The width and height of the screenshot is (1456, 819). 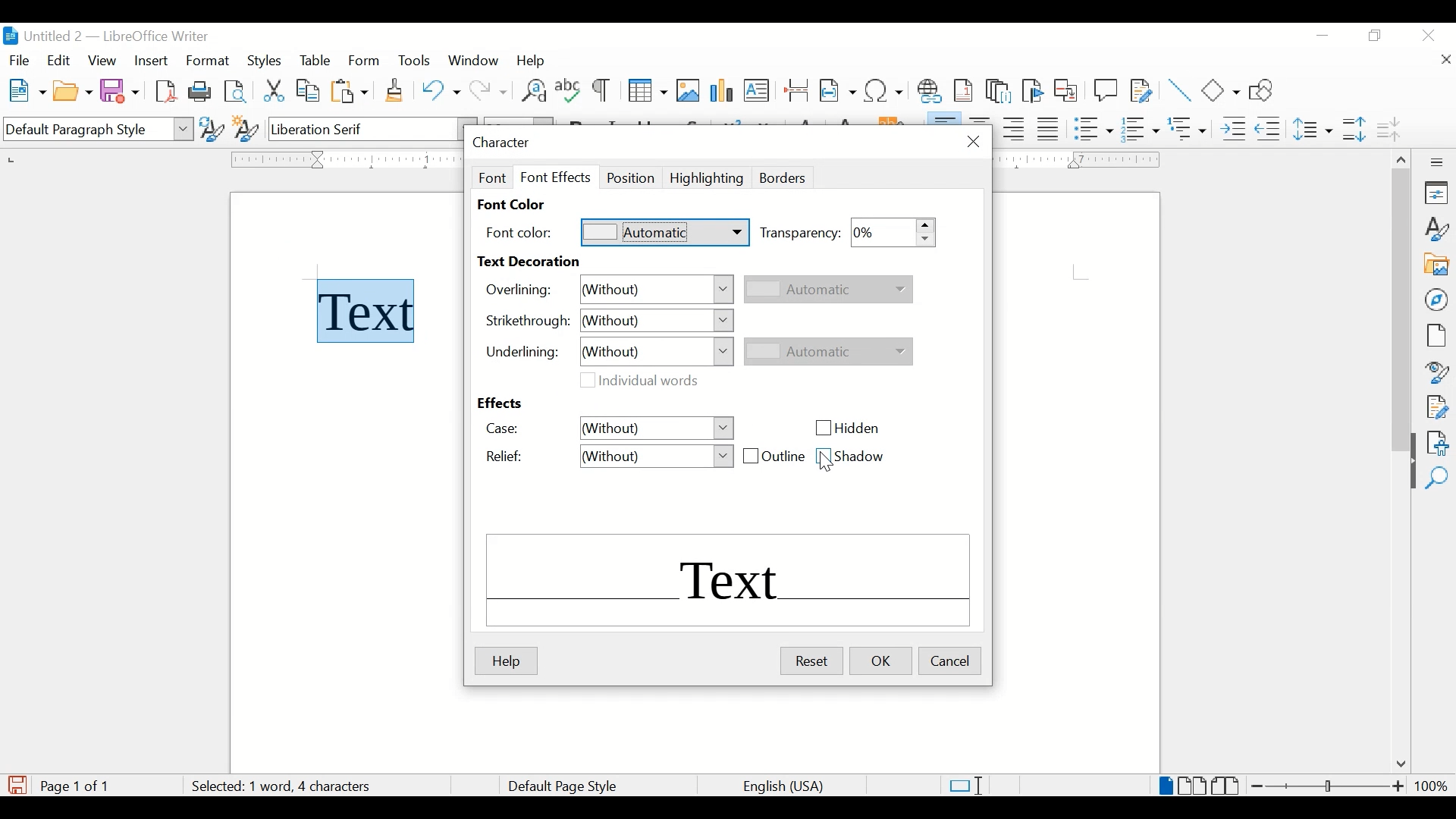 What do you see at coordinates (838, 90) in the screenshot?
I see `insert field` at bounding box center [838, 90].